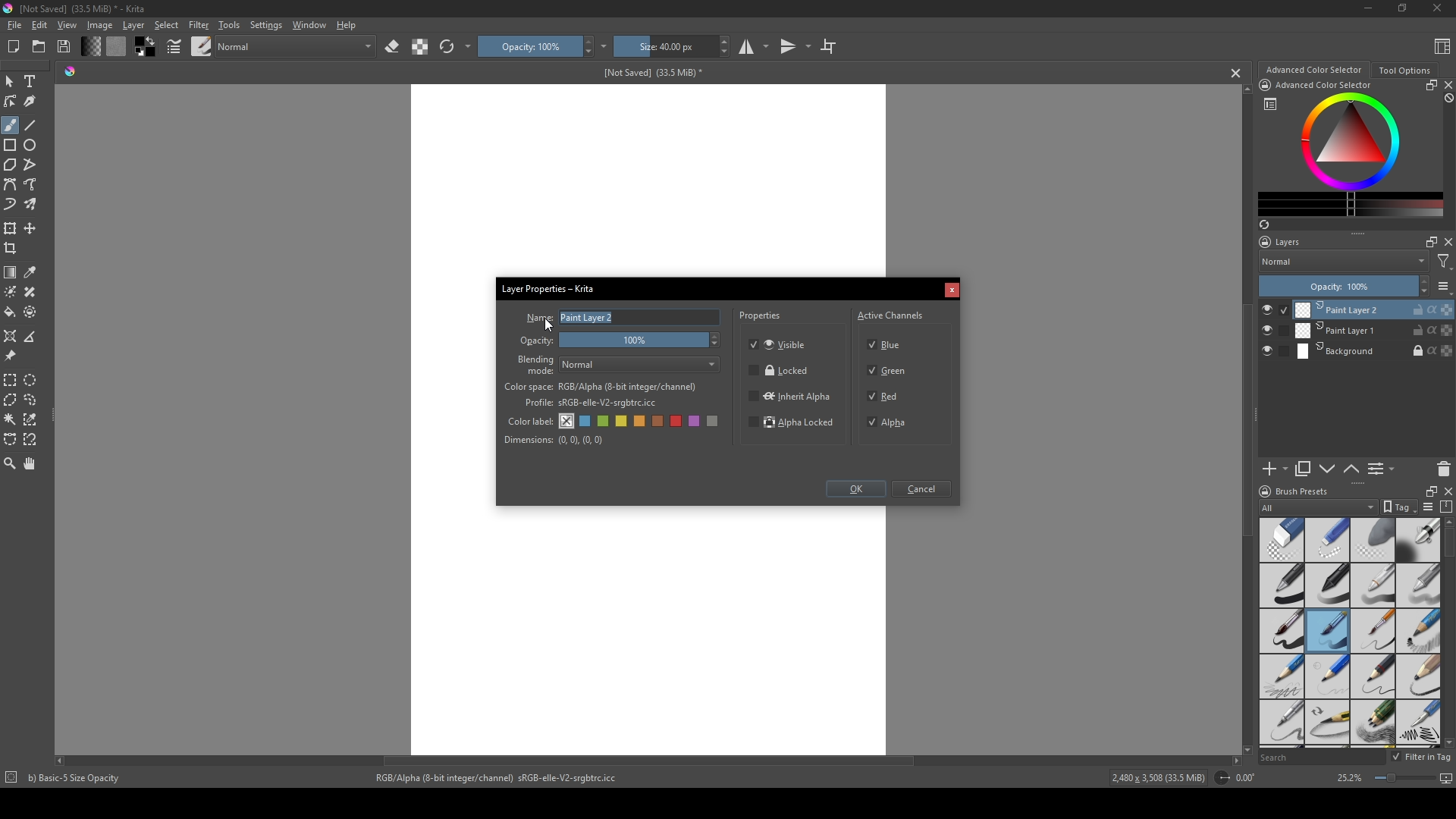 The width and height of the screenshot is (1456, 819). I want to click on gradient, so click(11, 272).